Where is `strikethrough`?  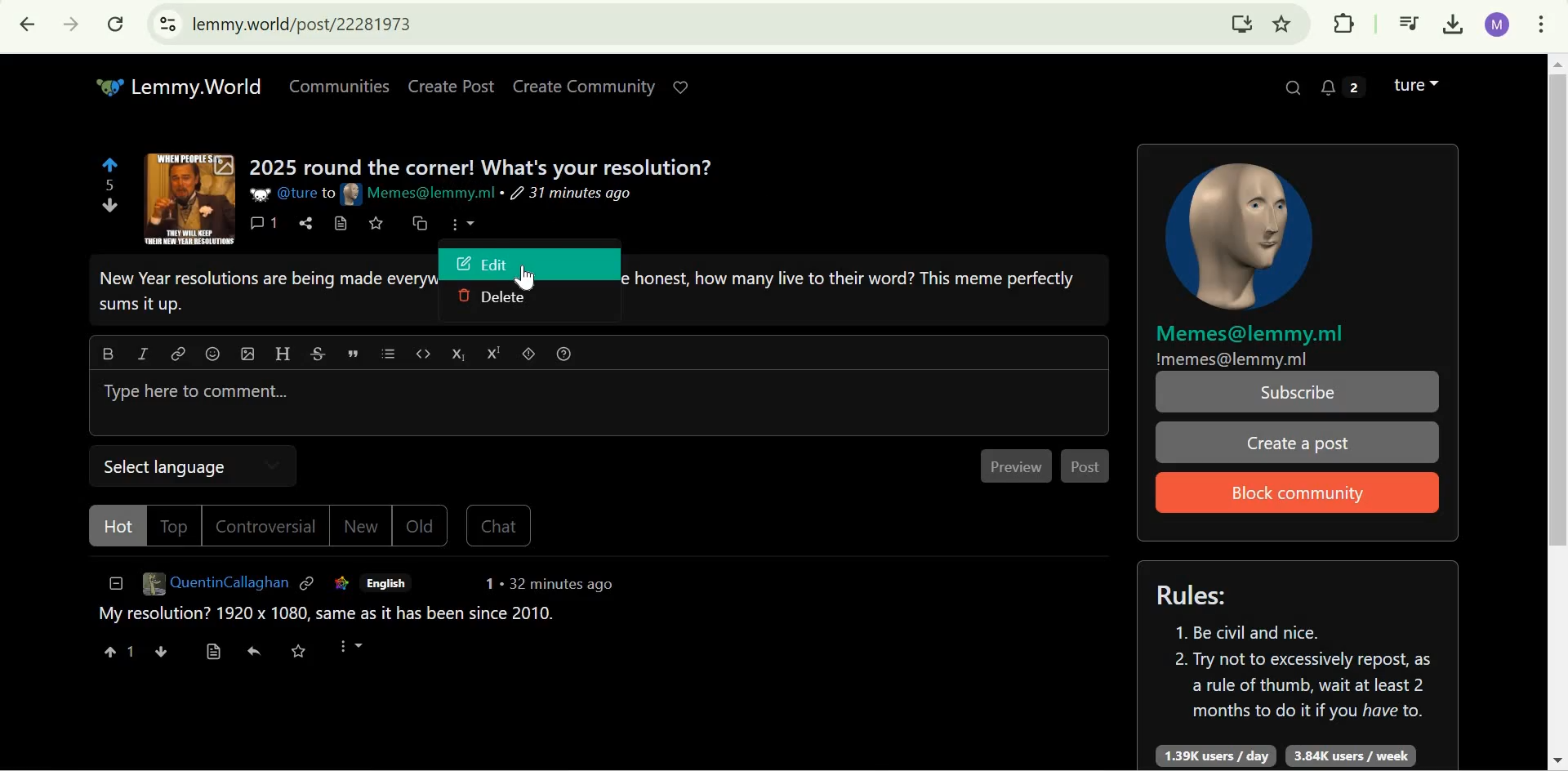
strikethrough is located at coordinates (318, 352).